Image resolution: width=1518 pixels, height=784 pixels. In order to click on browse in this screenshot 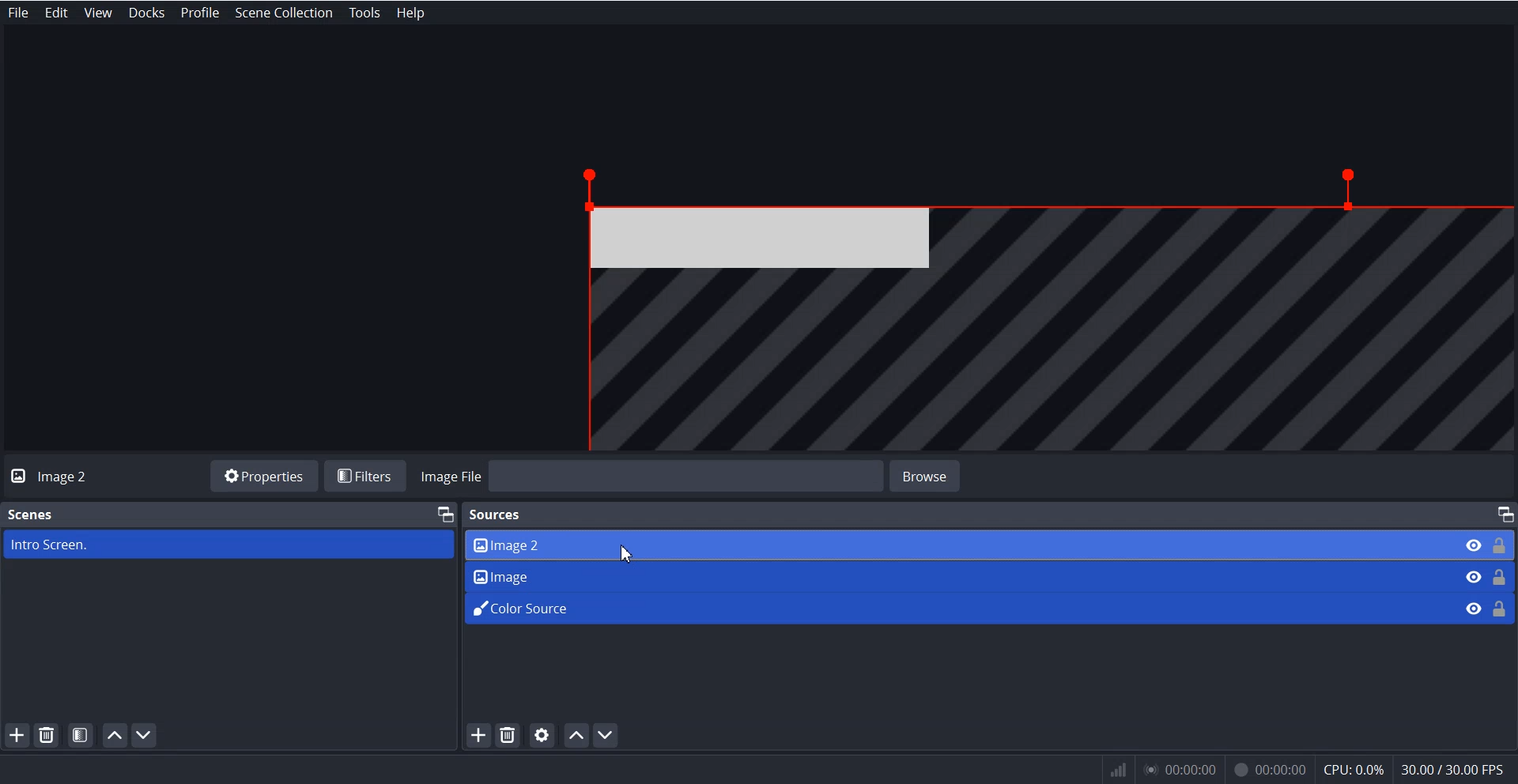, I will do `click(938, 474)`.